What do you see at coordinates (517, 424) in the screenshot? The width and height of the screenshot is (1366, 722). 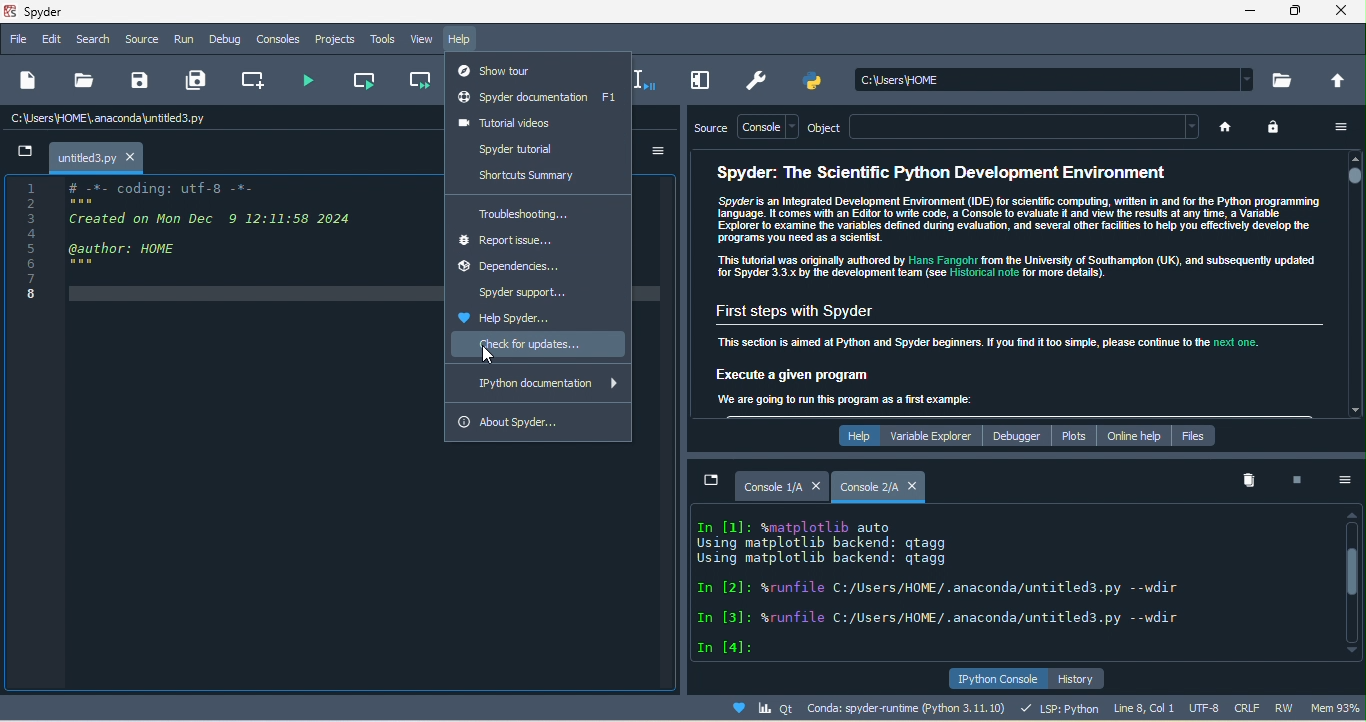 I see `about spyder` at bounding box center [517, 424].